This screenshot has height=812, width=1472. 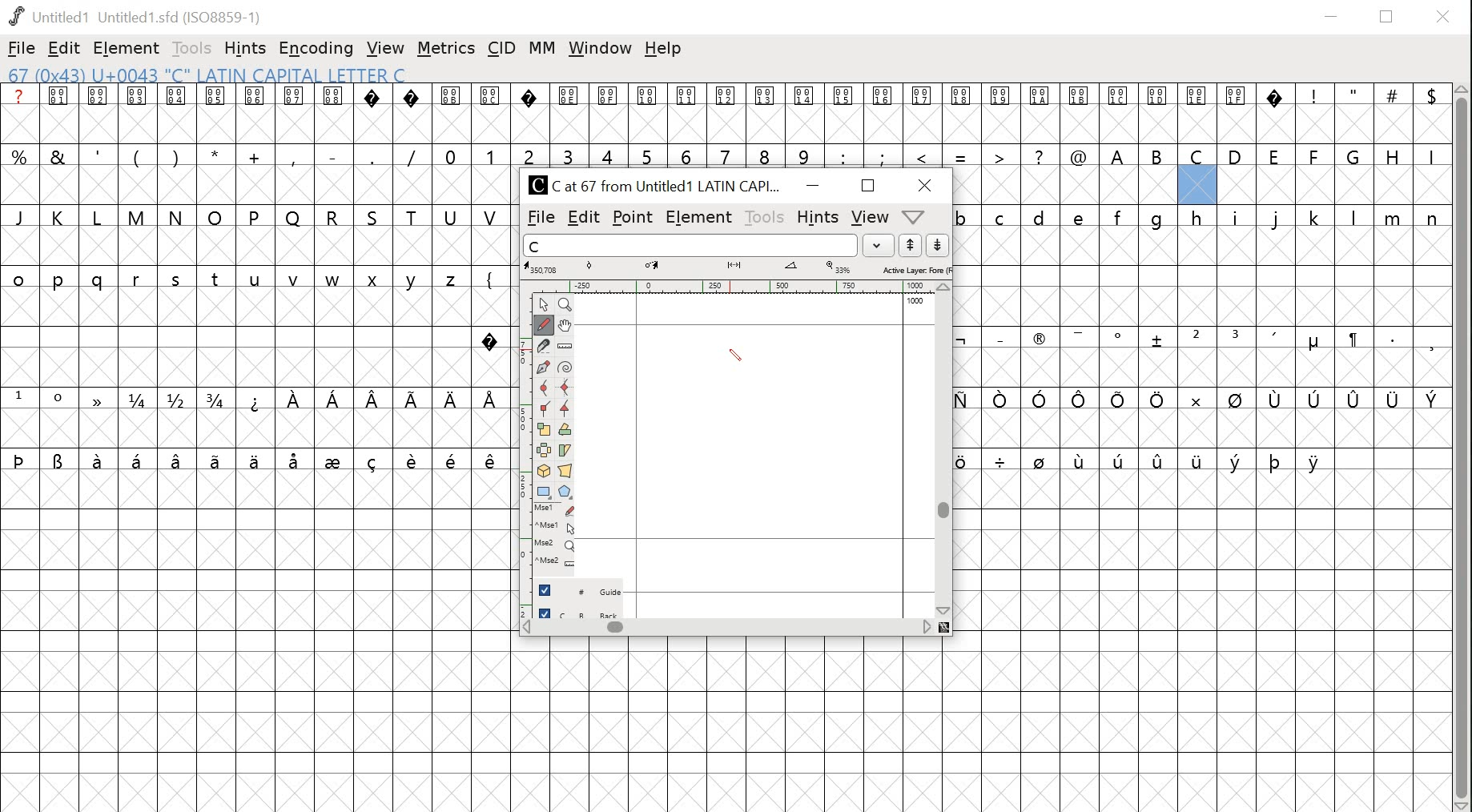 What do you see at coordinates (126, 48) in the screenshot?
I see `element` at bounding box center [126, 48].